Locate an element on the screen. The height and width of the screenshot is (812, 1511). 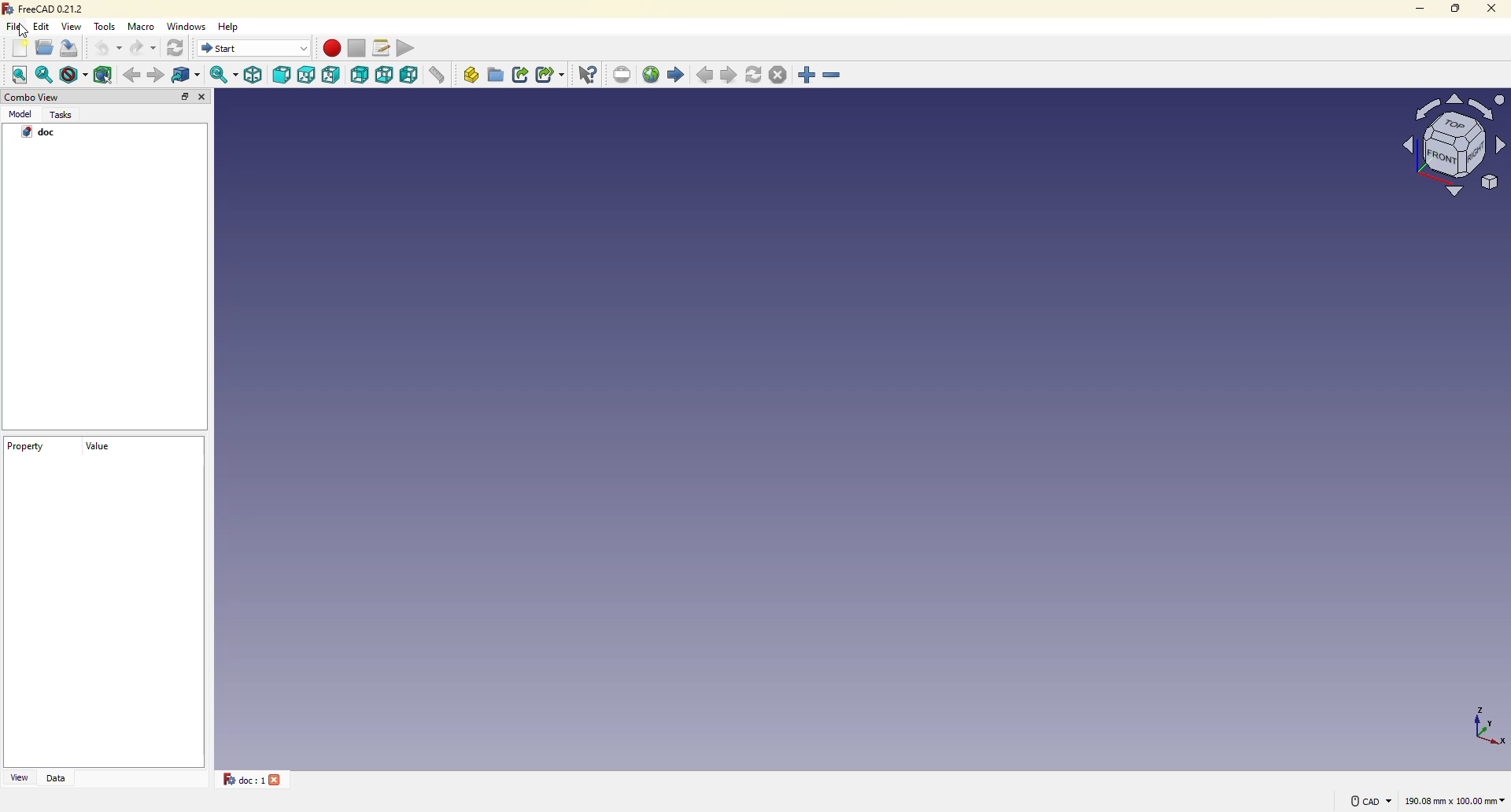
measure distance is located at coordinates (441, 76).